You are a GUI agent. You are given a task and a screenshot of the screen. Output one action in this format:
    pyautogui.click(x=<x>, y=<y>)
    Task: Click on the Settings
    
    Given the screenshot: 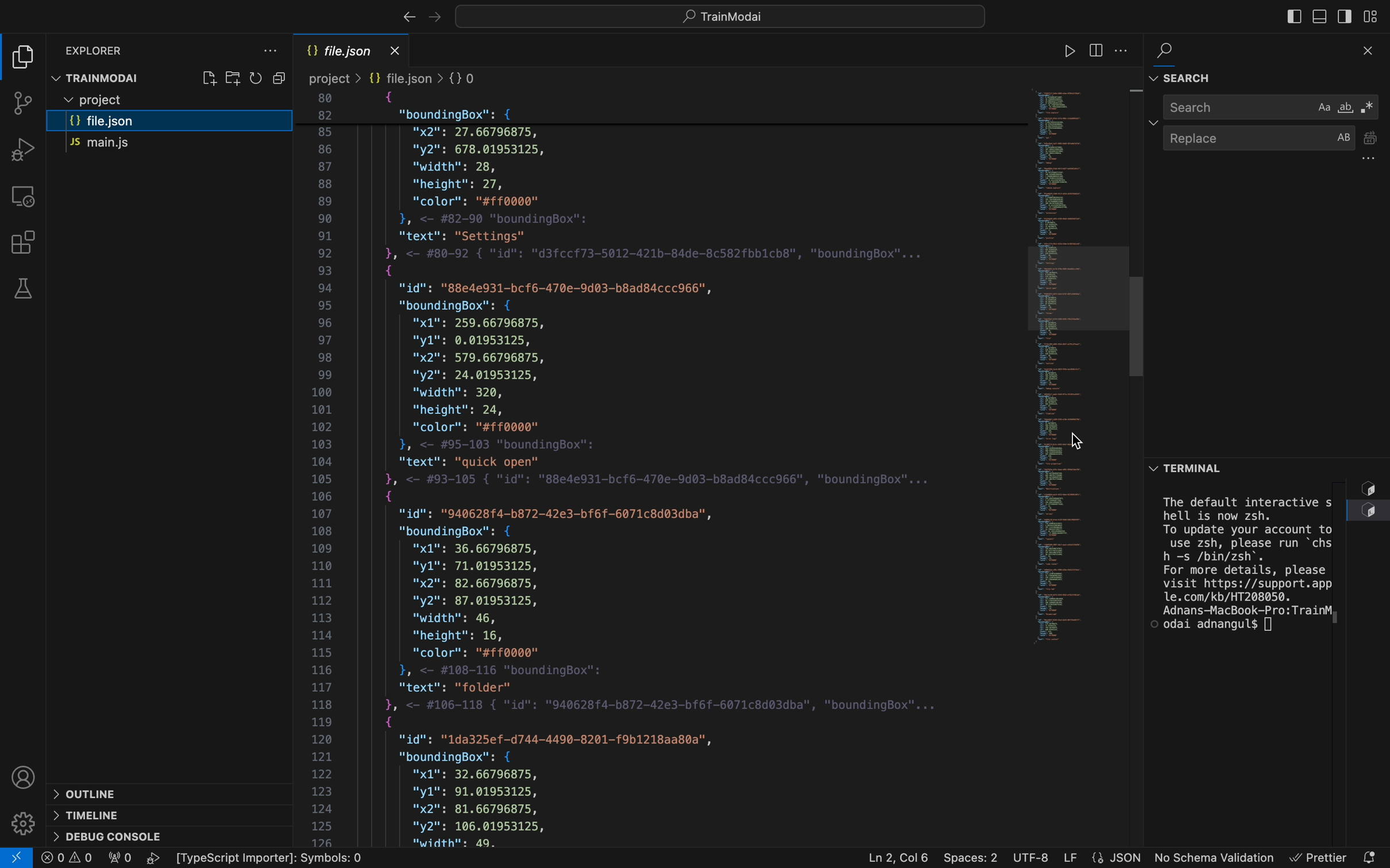 What is the action you would take?
    pyautogui.click(x=22, y=824)
    